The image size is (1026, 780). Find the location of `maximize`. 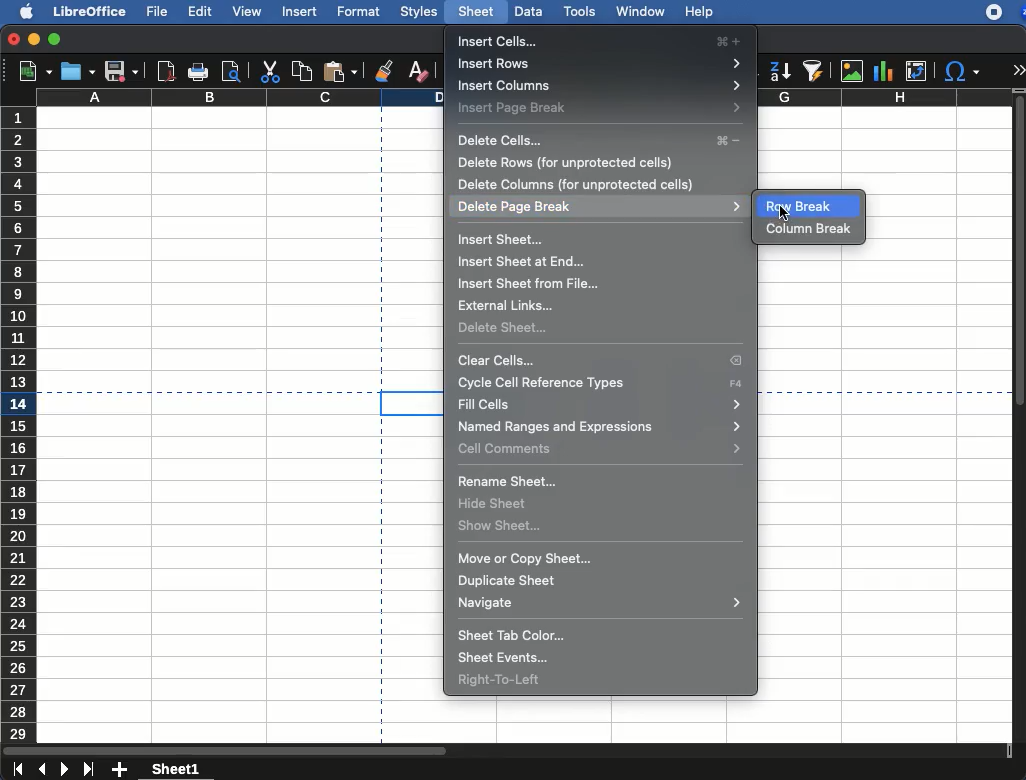

maximize is located at coordinates (54, 39).